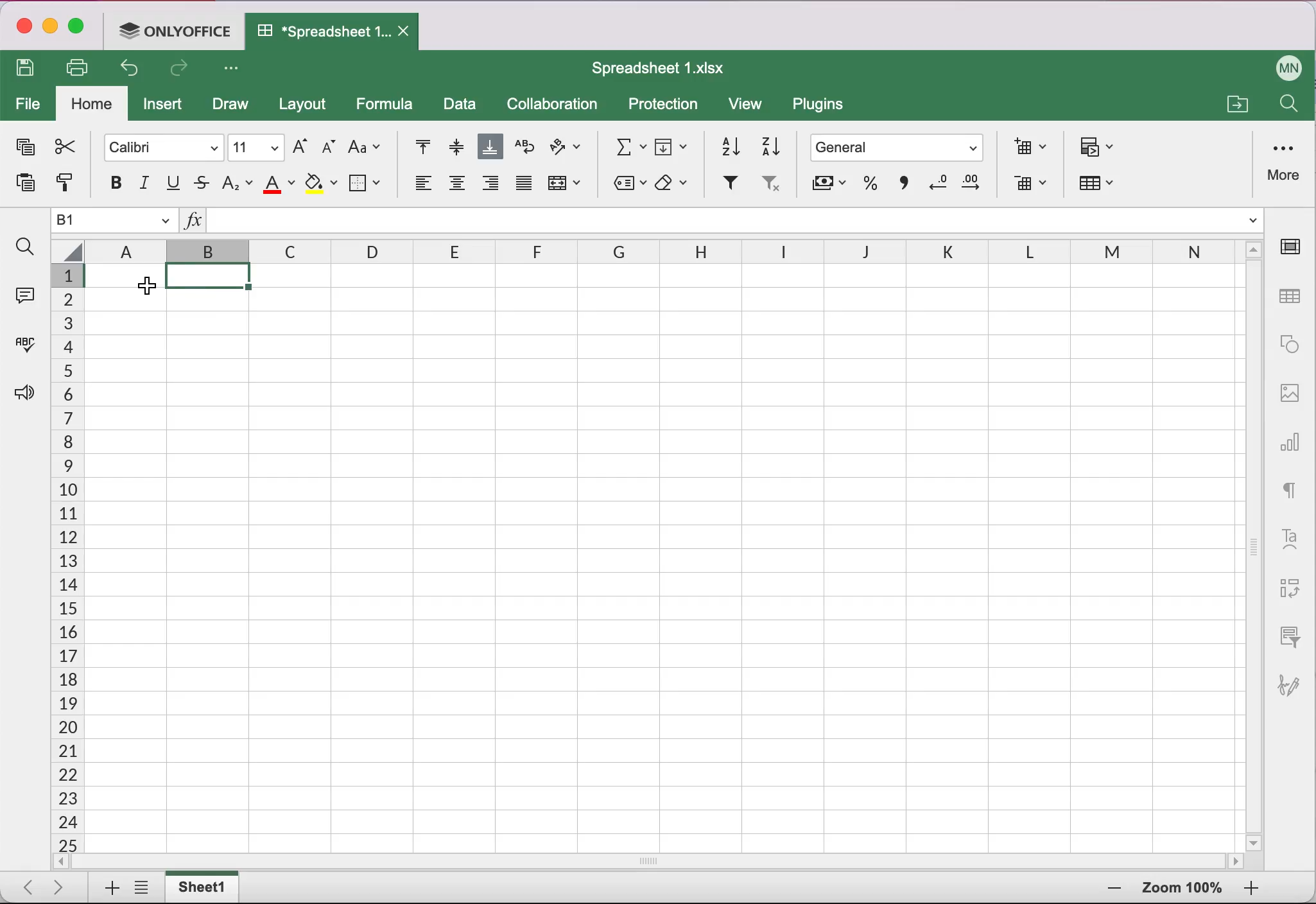 This screenshot has height=904, width=1316. I want to click on zoom out, so click(1251, 889).